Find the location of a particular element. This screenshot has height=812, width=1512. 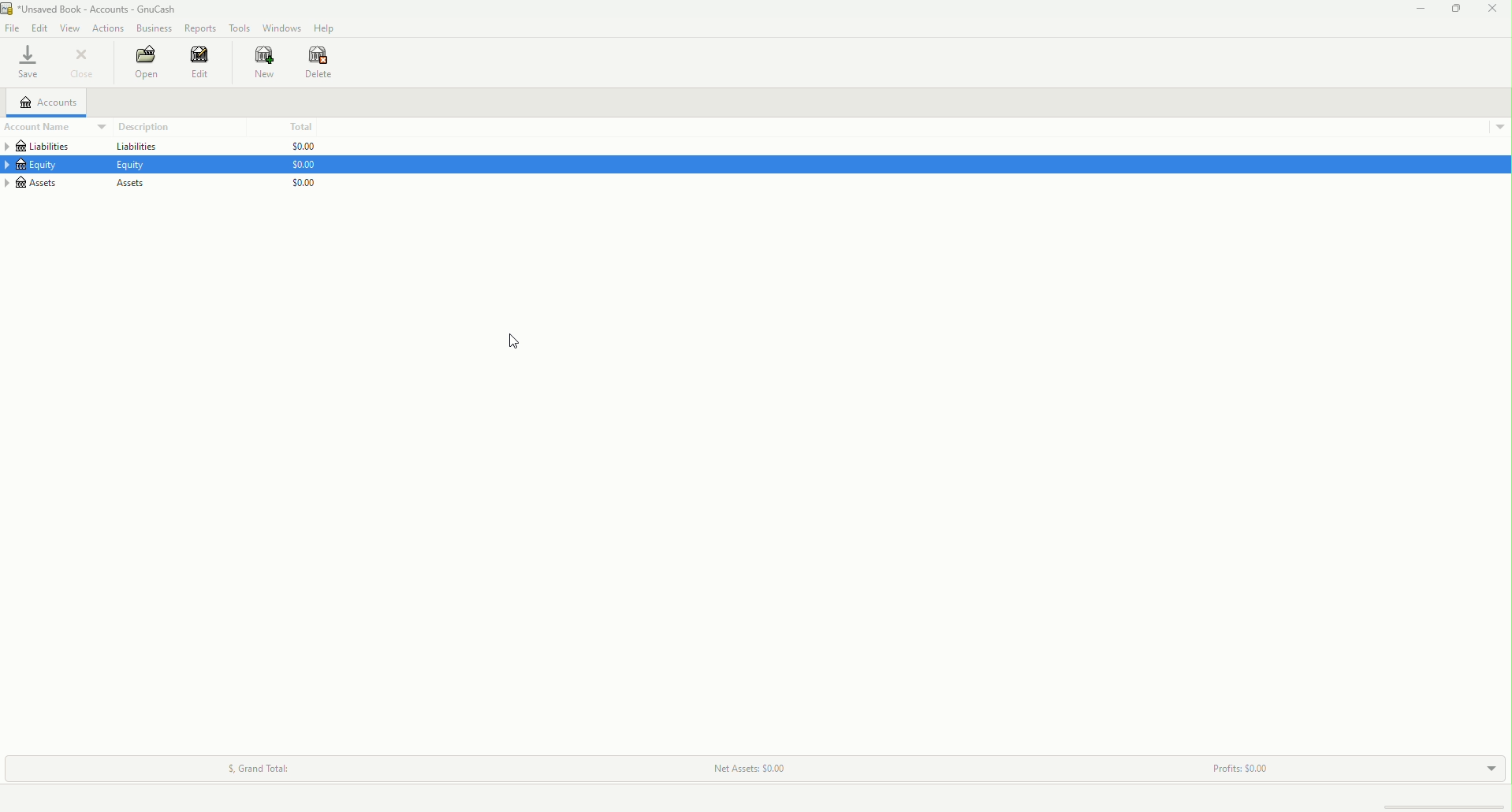

File is located at coordinates (12, 28).